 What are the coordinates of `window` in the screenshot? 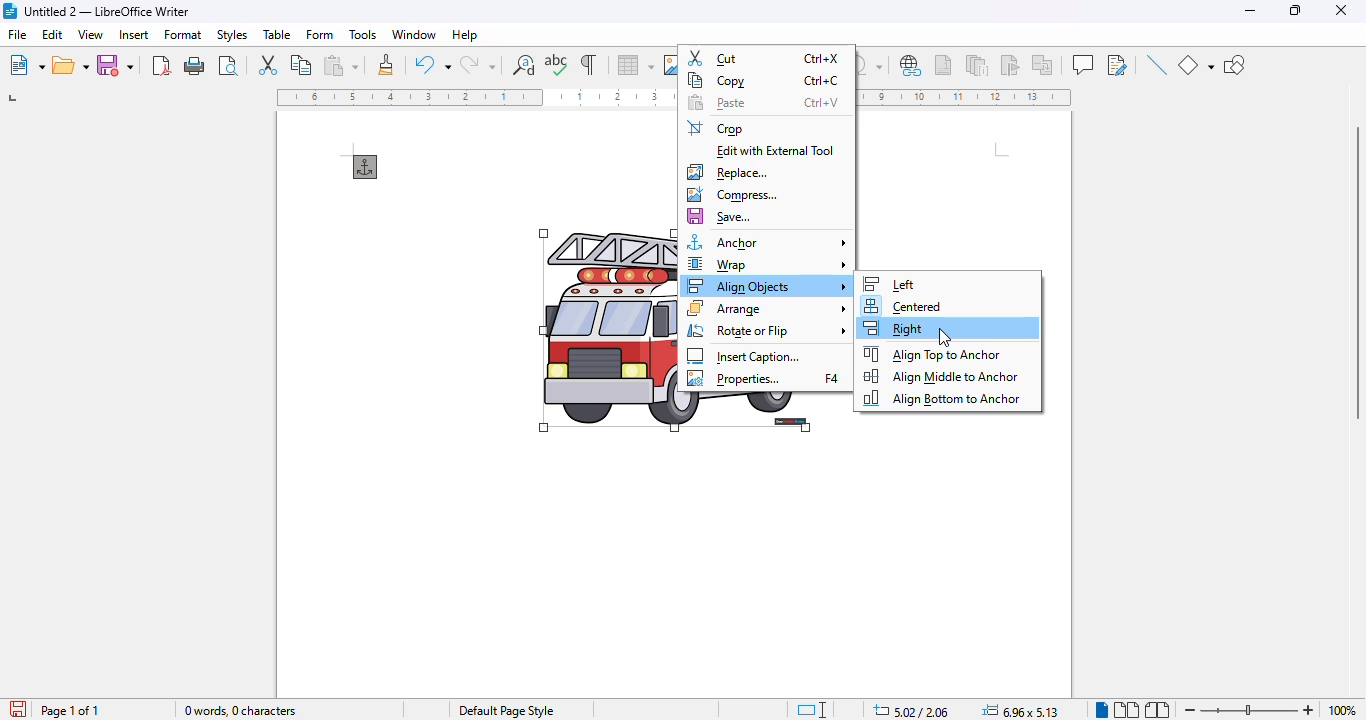 It's located at (414, 34).